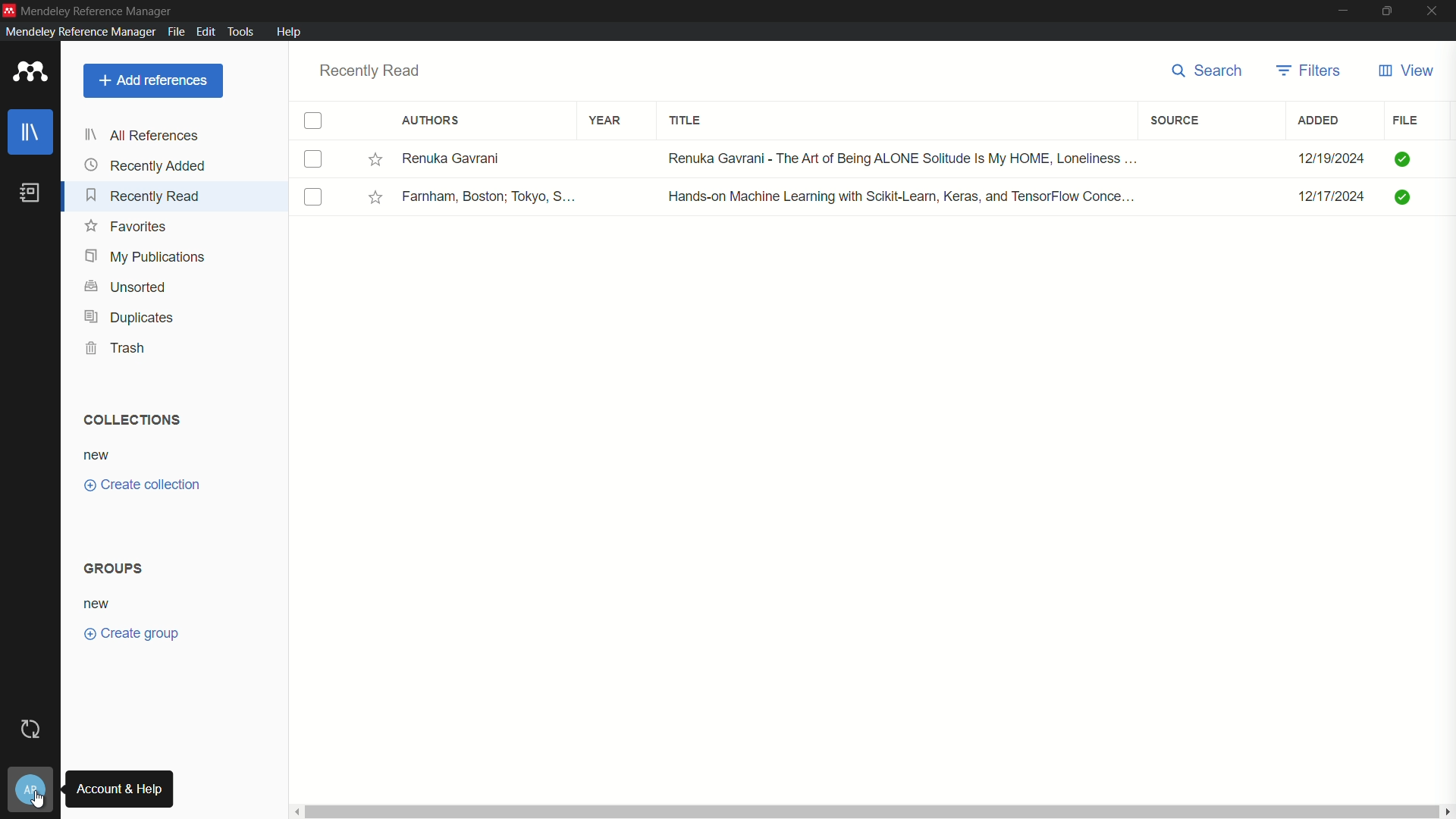  What do you see at coordinates (1175, 121) in the screenshot?
I see `filters` at bounding box center [1175, 121].